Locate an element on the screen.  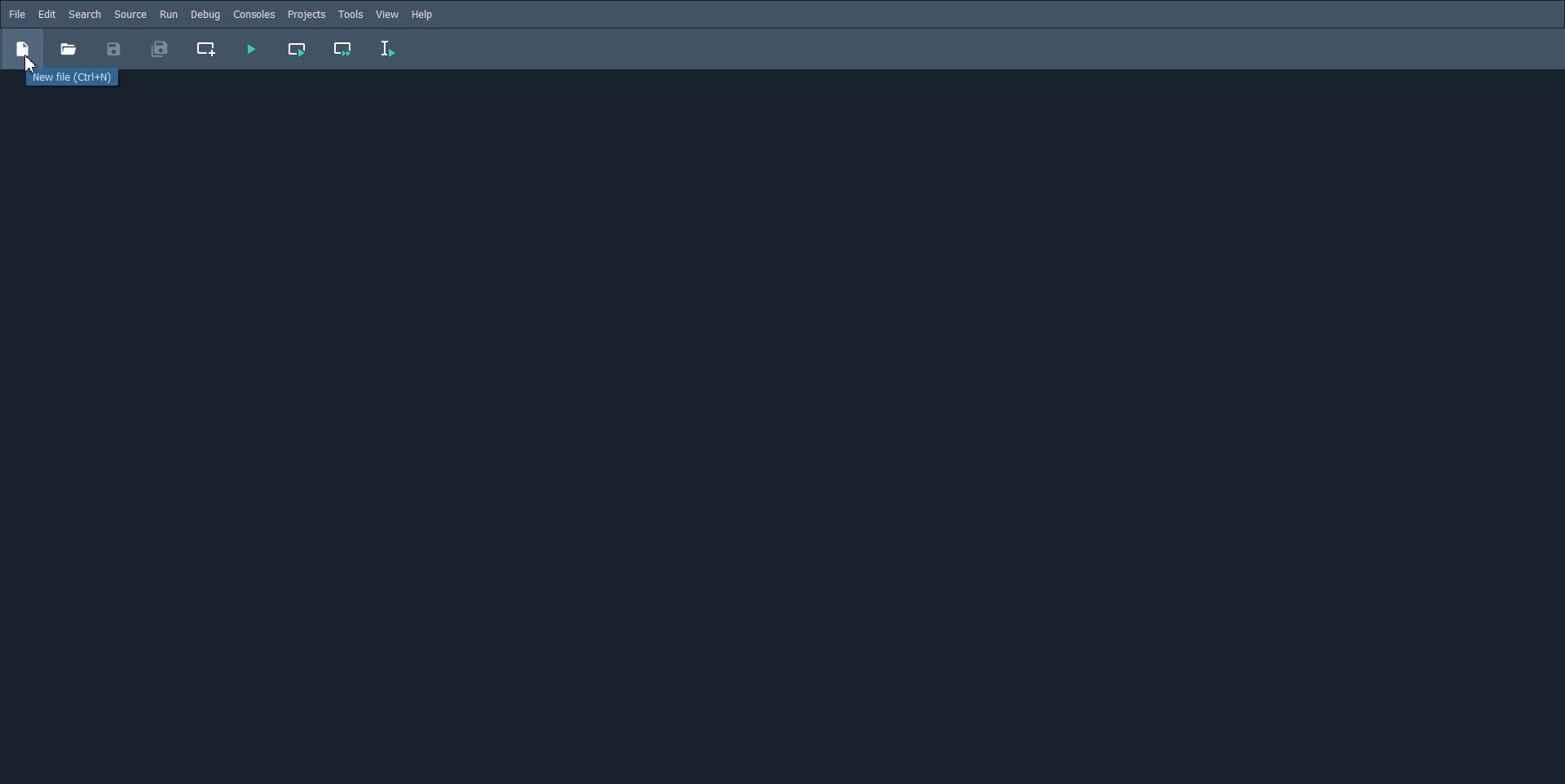
Source is located at coordinates (130, 14).